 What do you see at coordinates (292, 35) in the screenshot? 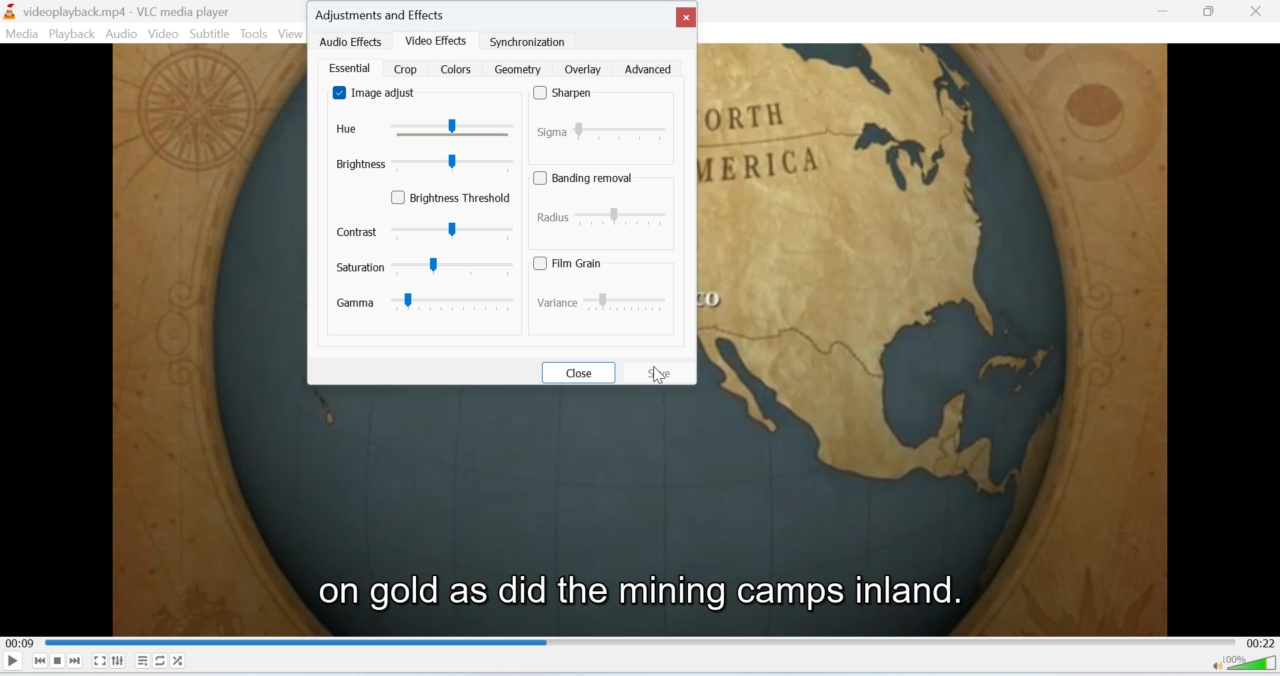
I see `View` at bounding box center [292, 35].